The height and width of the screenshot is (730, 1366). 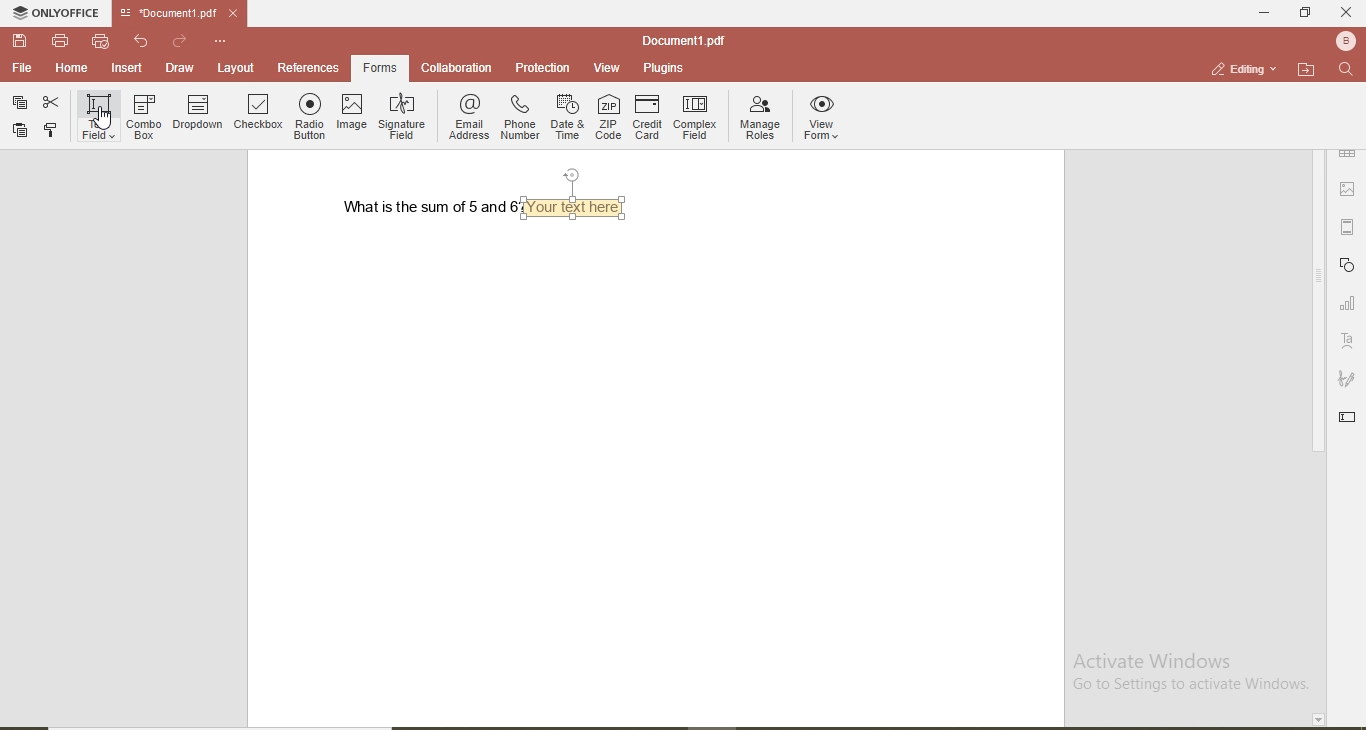 What do you see at coordinates (178, 37) in the screenshot?
I see `redo` at bounding box center [178, 37].